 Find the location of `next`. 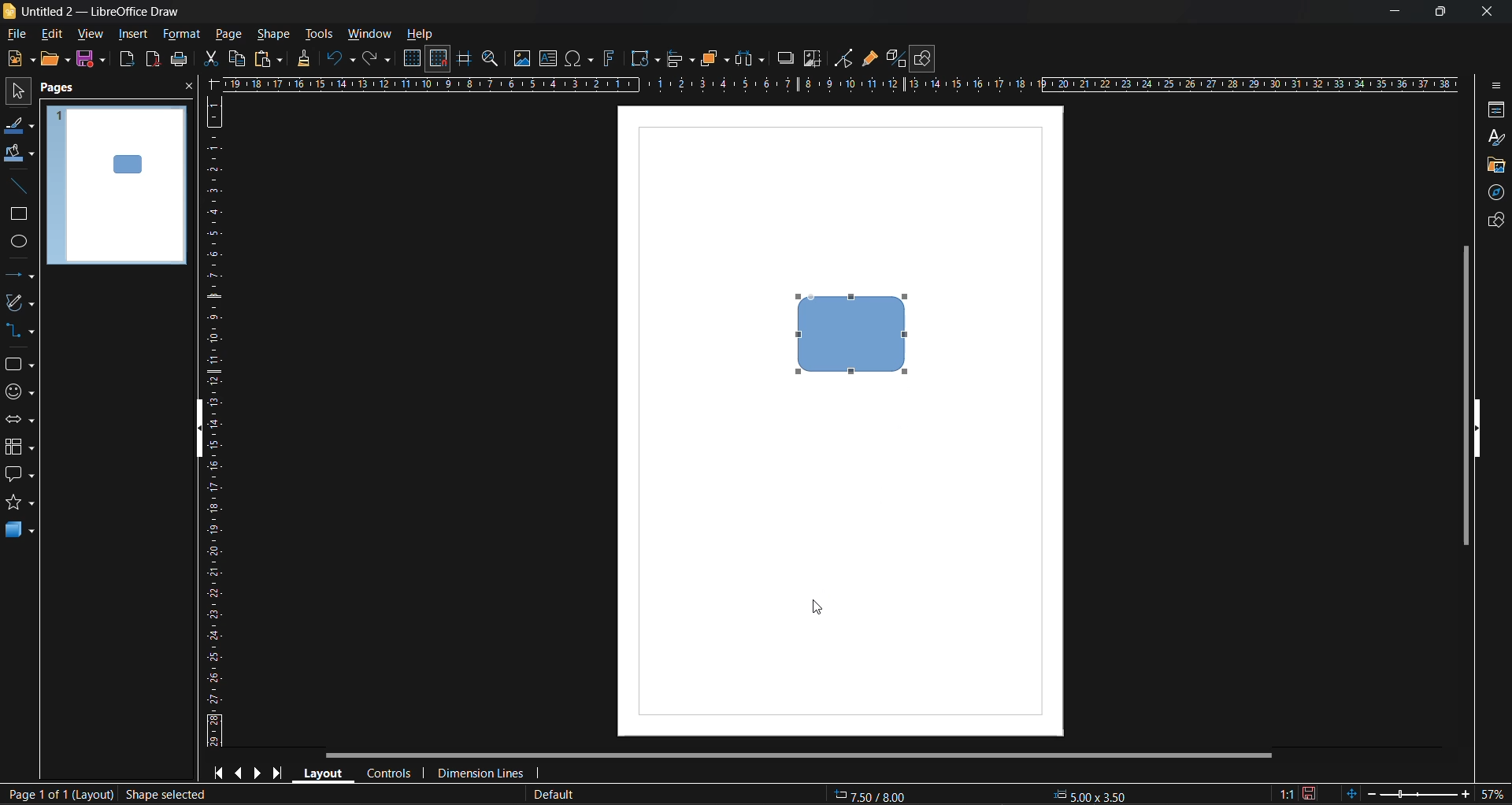

next is located at coordinates (258, 772).